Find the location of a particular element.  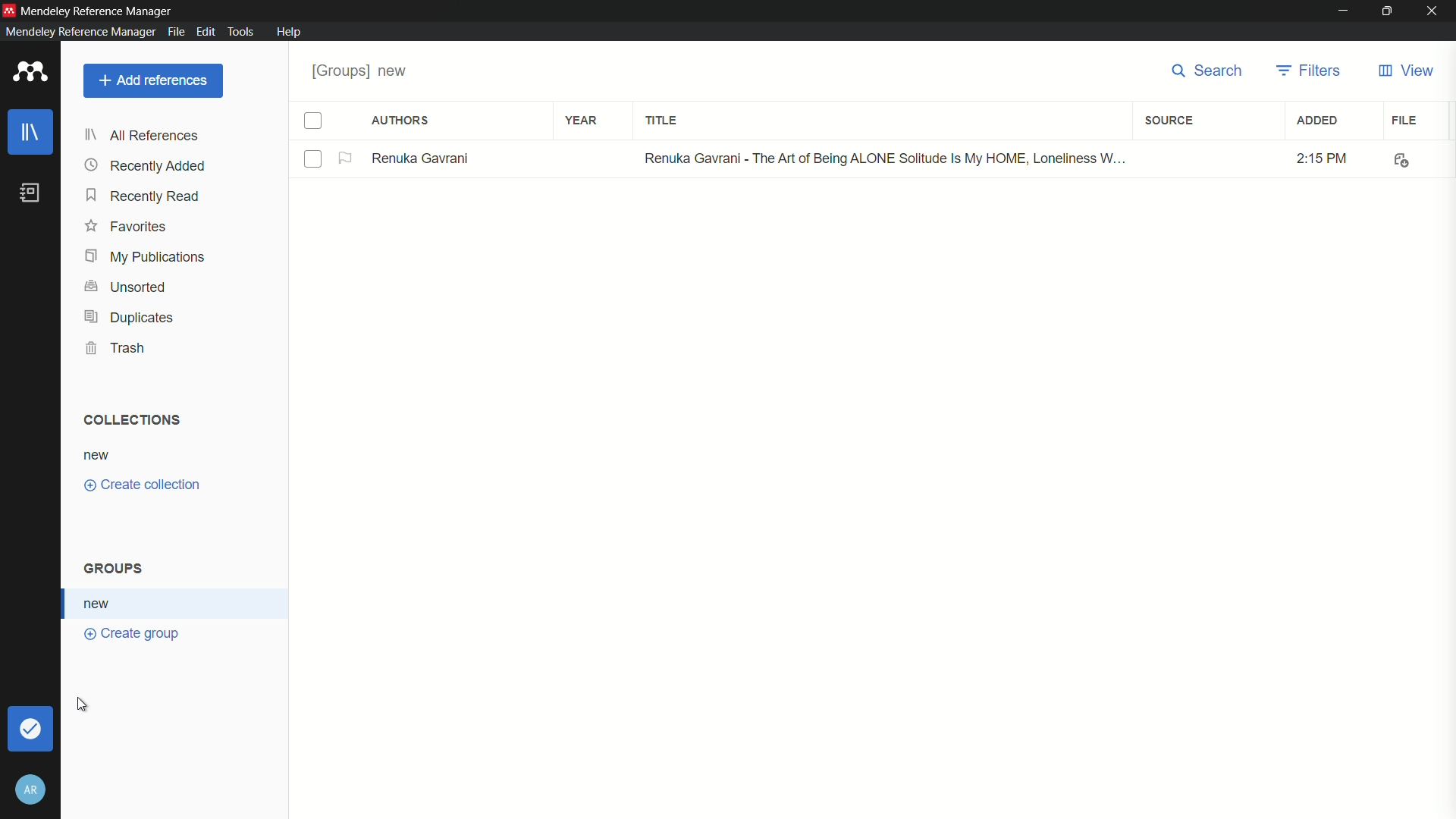

help menu is located at coordinates (290, 33).